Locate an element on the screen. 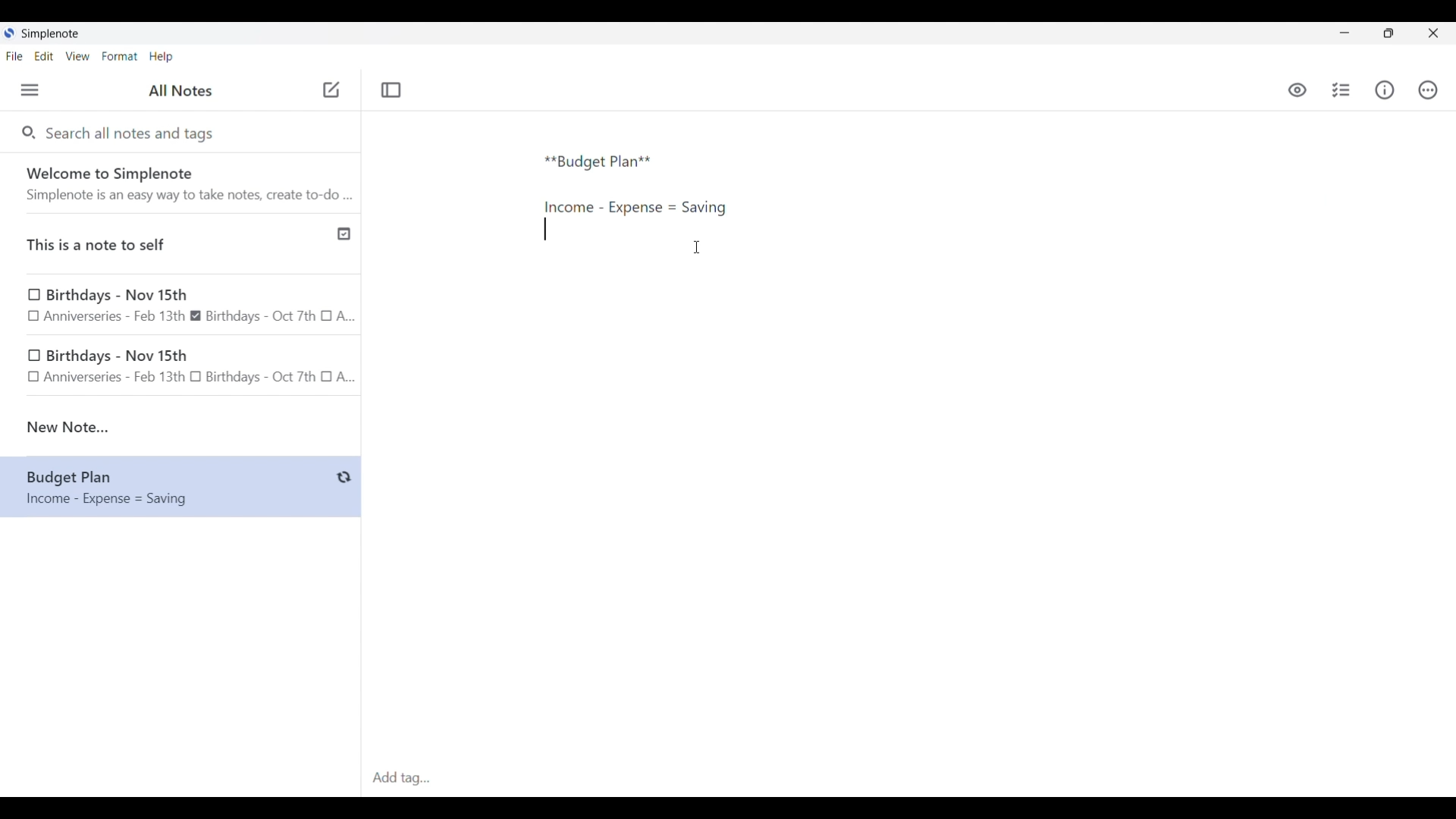 This screenshot has width=1456, height=819. Software name is located at coordinates (52, 34).